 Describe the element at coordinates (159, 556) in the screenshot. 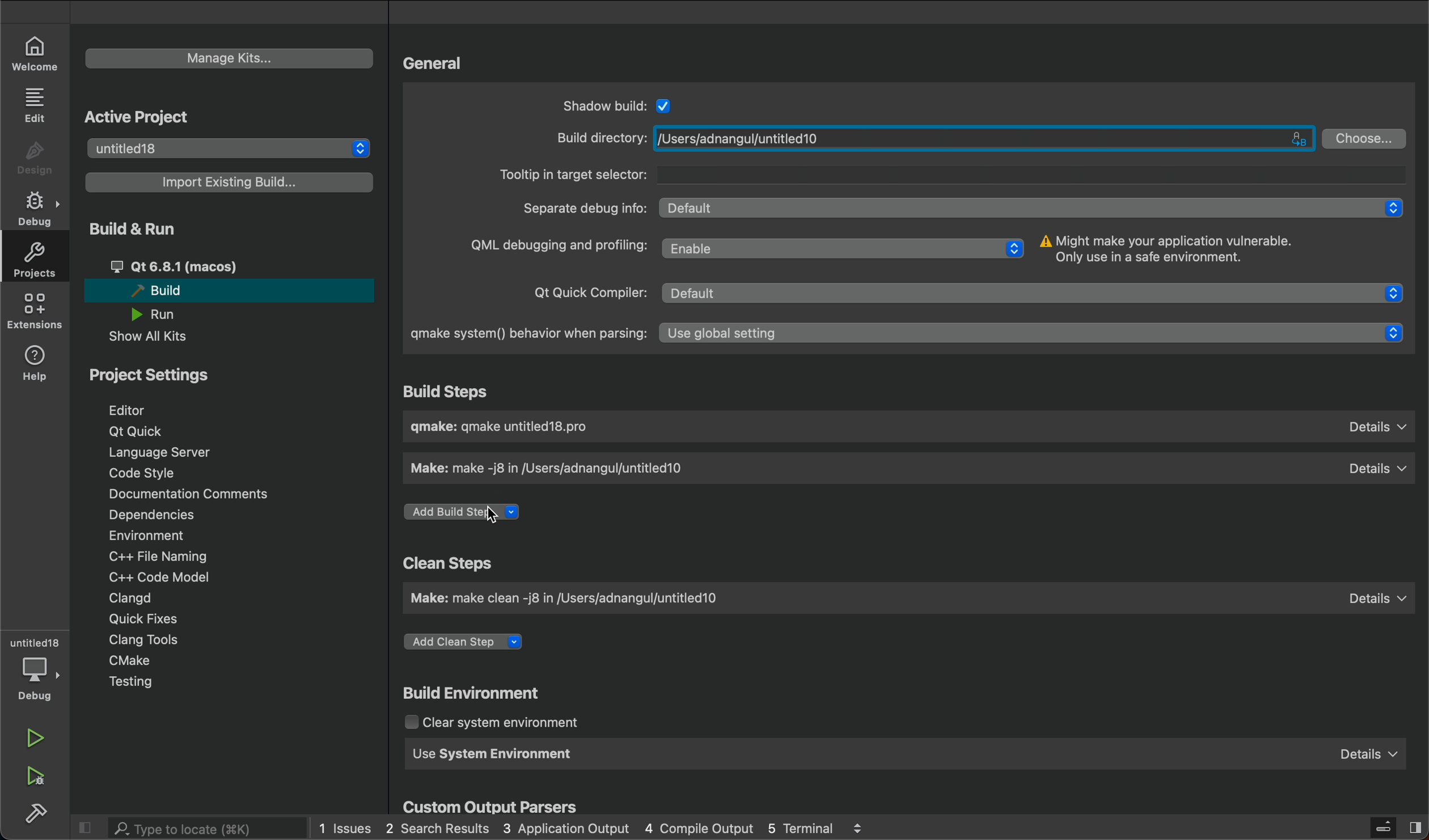

I see `C++ File Naming` at that location.